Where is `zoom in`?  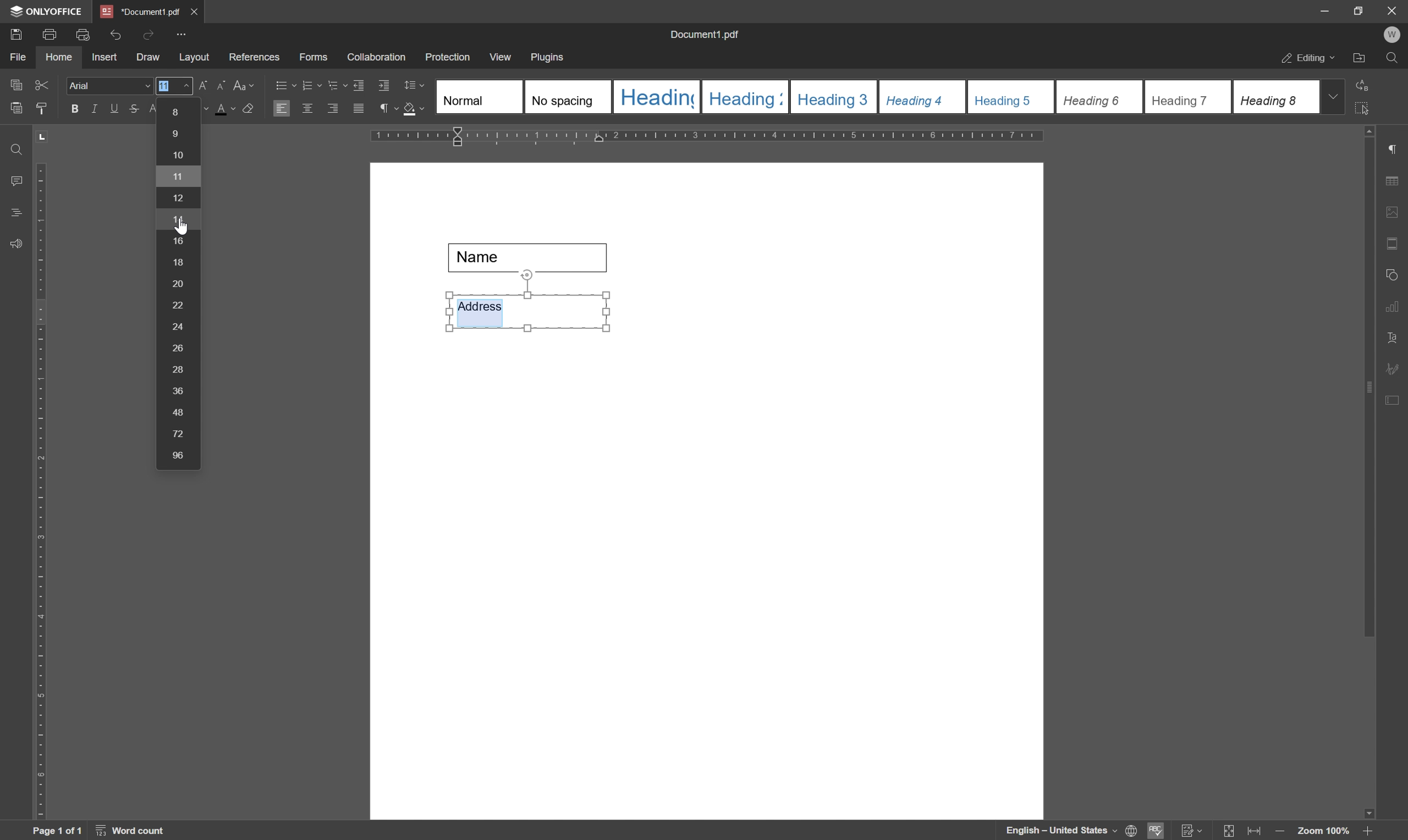
zoom in is located at coordinates (1366, 831).